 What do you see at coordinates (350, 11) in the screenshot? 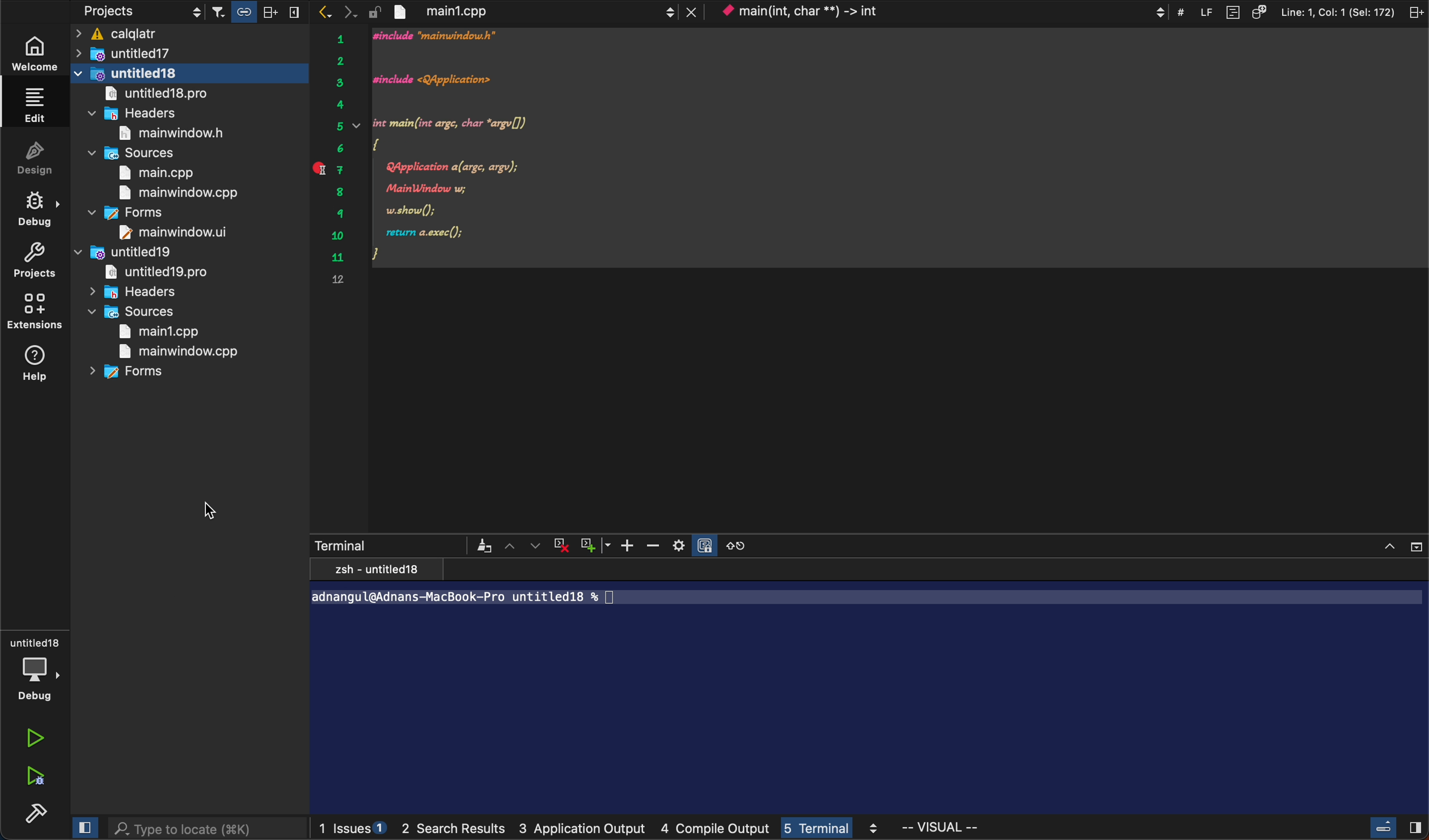
I see `next` at bounding box center [350, 11].